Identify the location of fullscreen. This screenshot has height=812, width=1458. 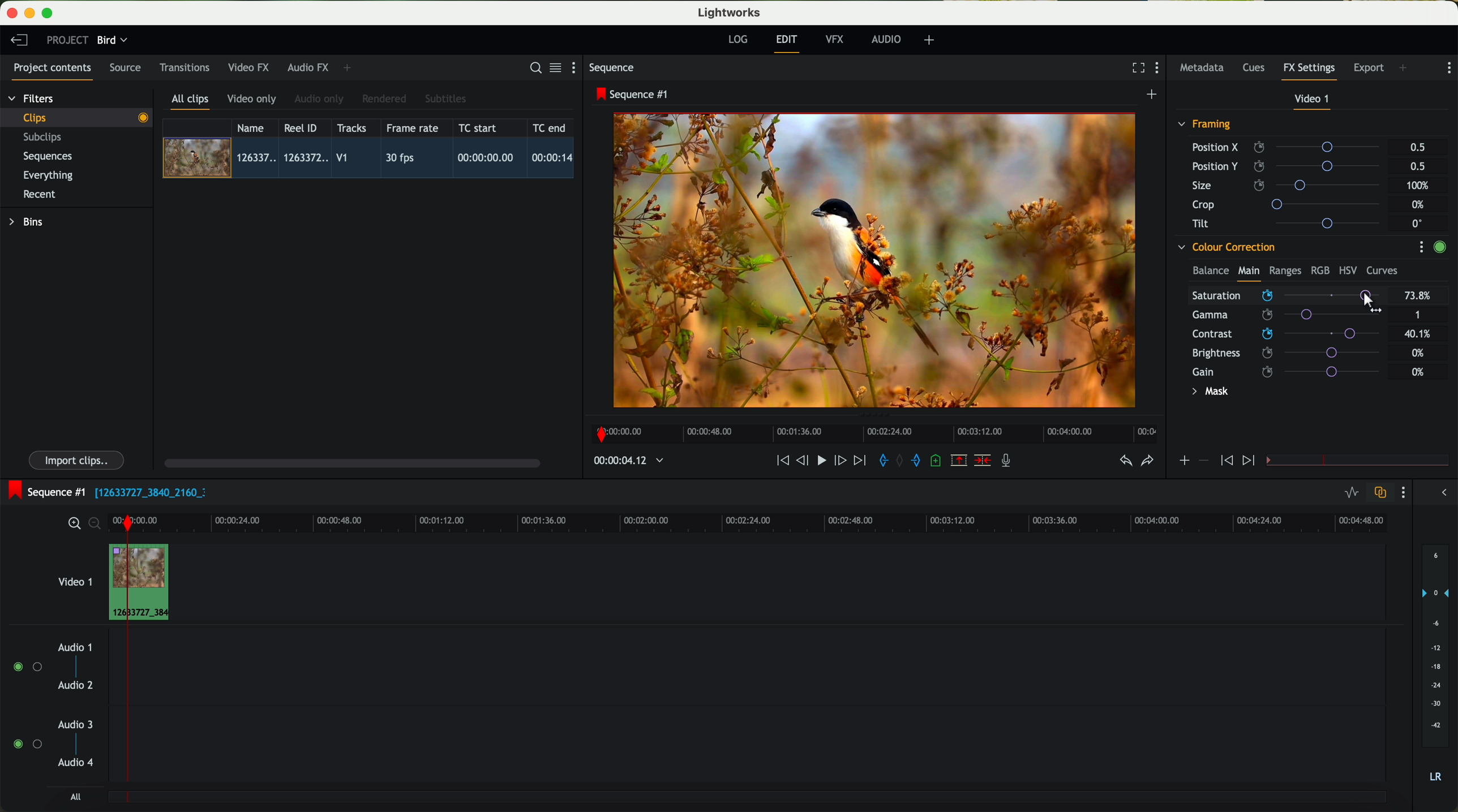
(1136, 67).